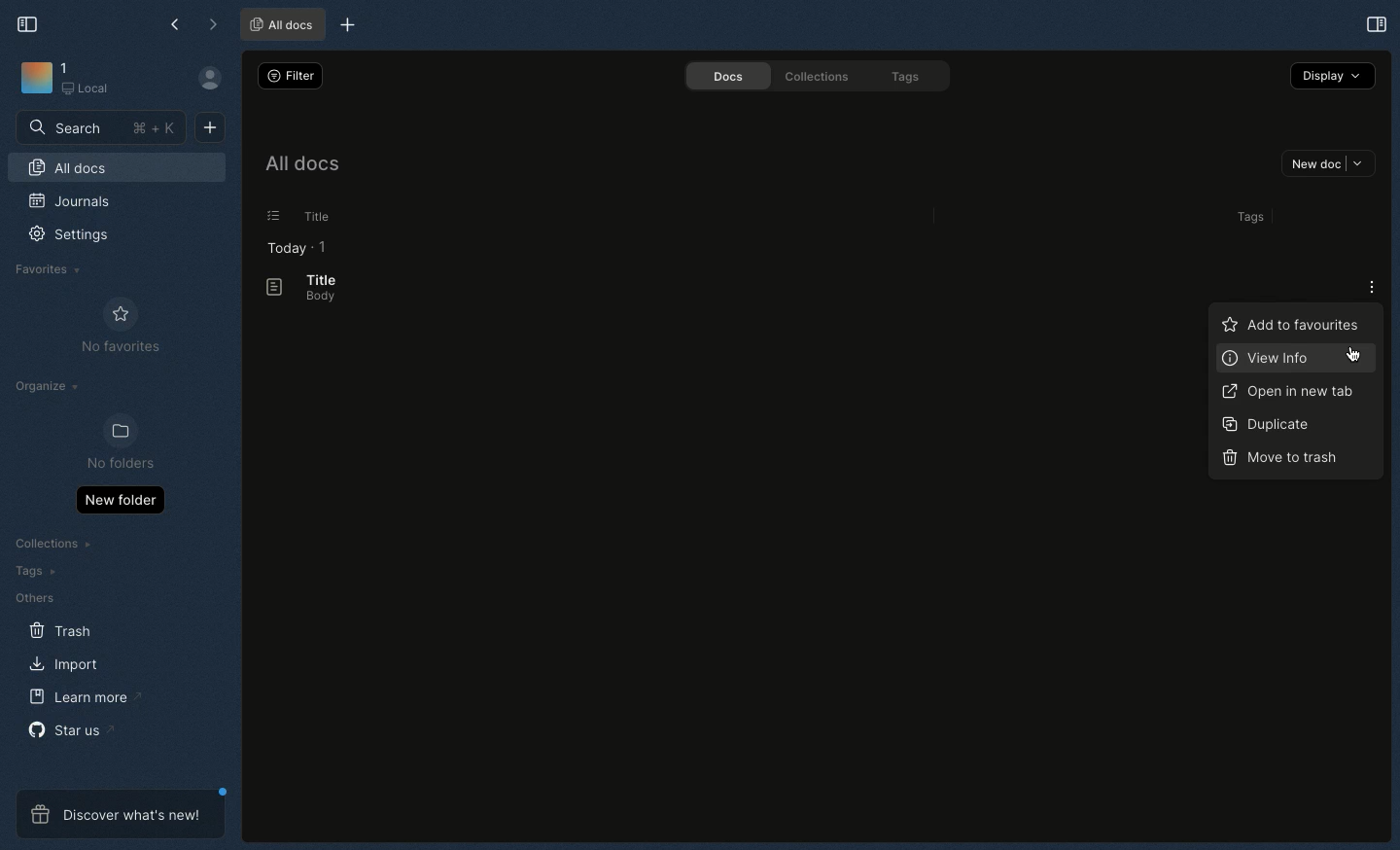 Image resolution: width=1400 pixels, height=850 pixels. Describe the element at coordinates (288, 75) in the screenshot. I see `Filter` at that location.